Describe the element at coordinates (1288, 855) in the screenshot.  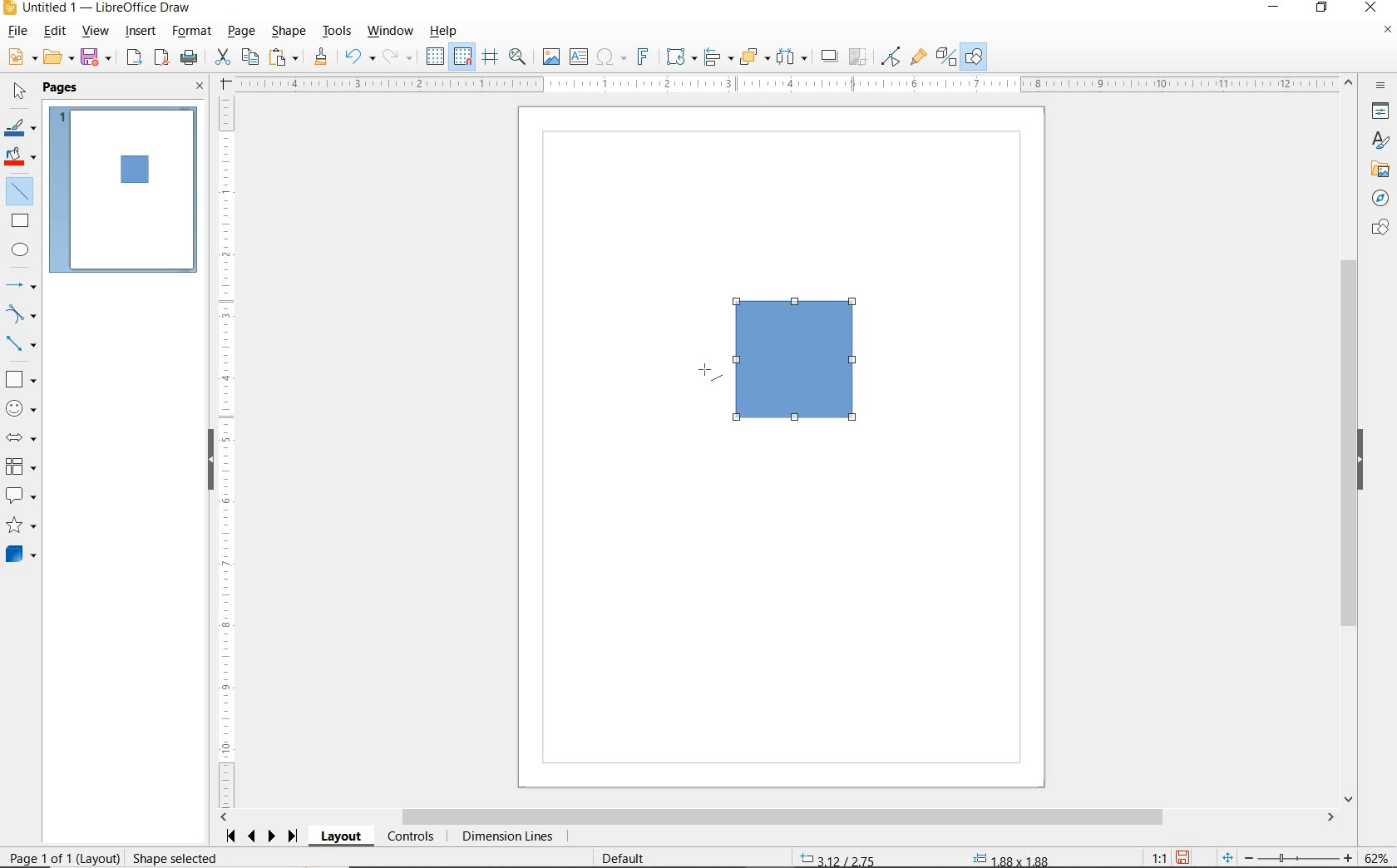
I see `ZOOM OUT OR ZOOM IN` at that location.